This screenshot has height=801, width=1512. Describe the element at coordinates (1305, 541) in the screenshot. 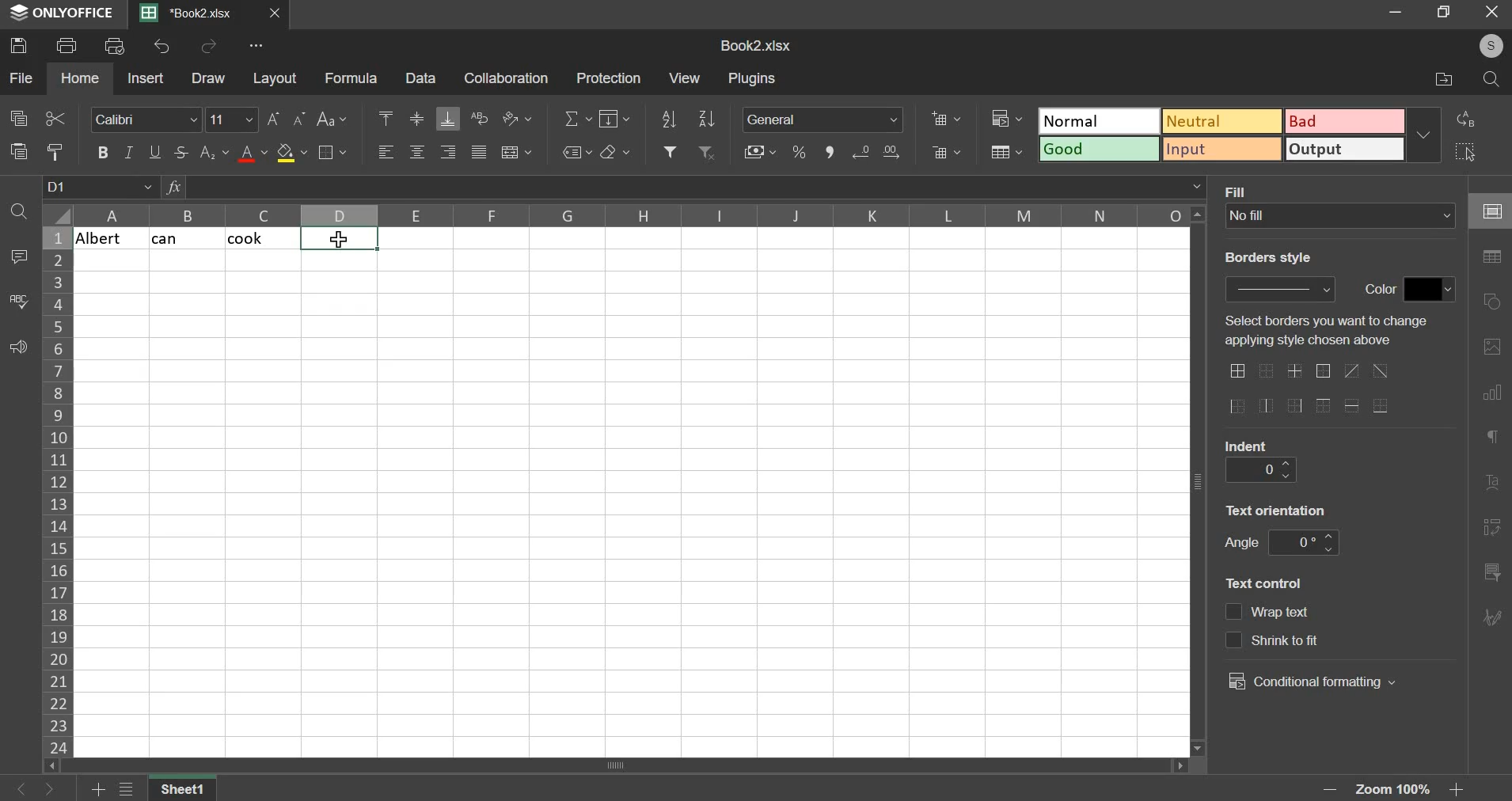

I see `angle` at that location.